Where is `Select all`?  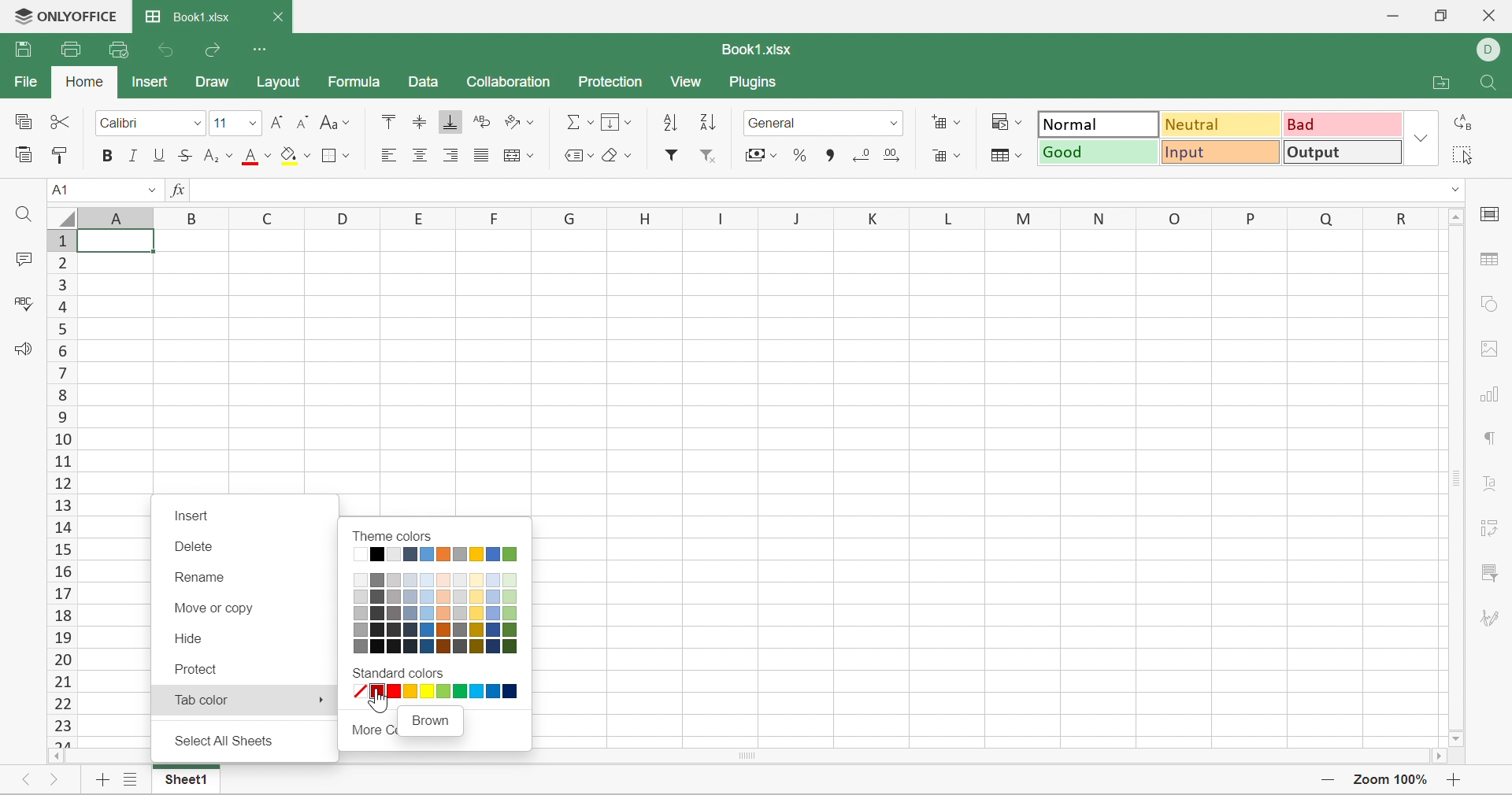 Select all is located at coordinates (1458, 154).